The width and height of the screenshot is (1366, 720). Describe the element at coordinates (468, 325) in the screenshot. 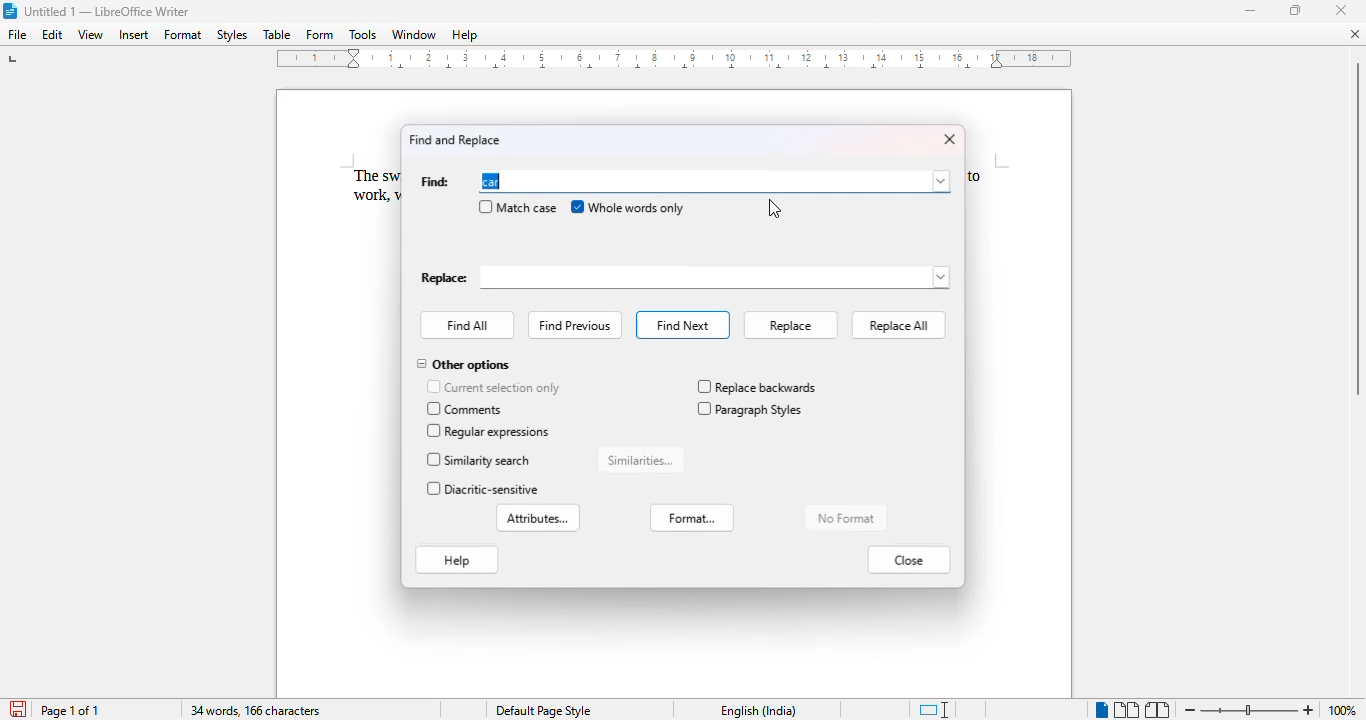

I see `find all` at that location.